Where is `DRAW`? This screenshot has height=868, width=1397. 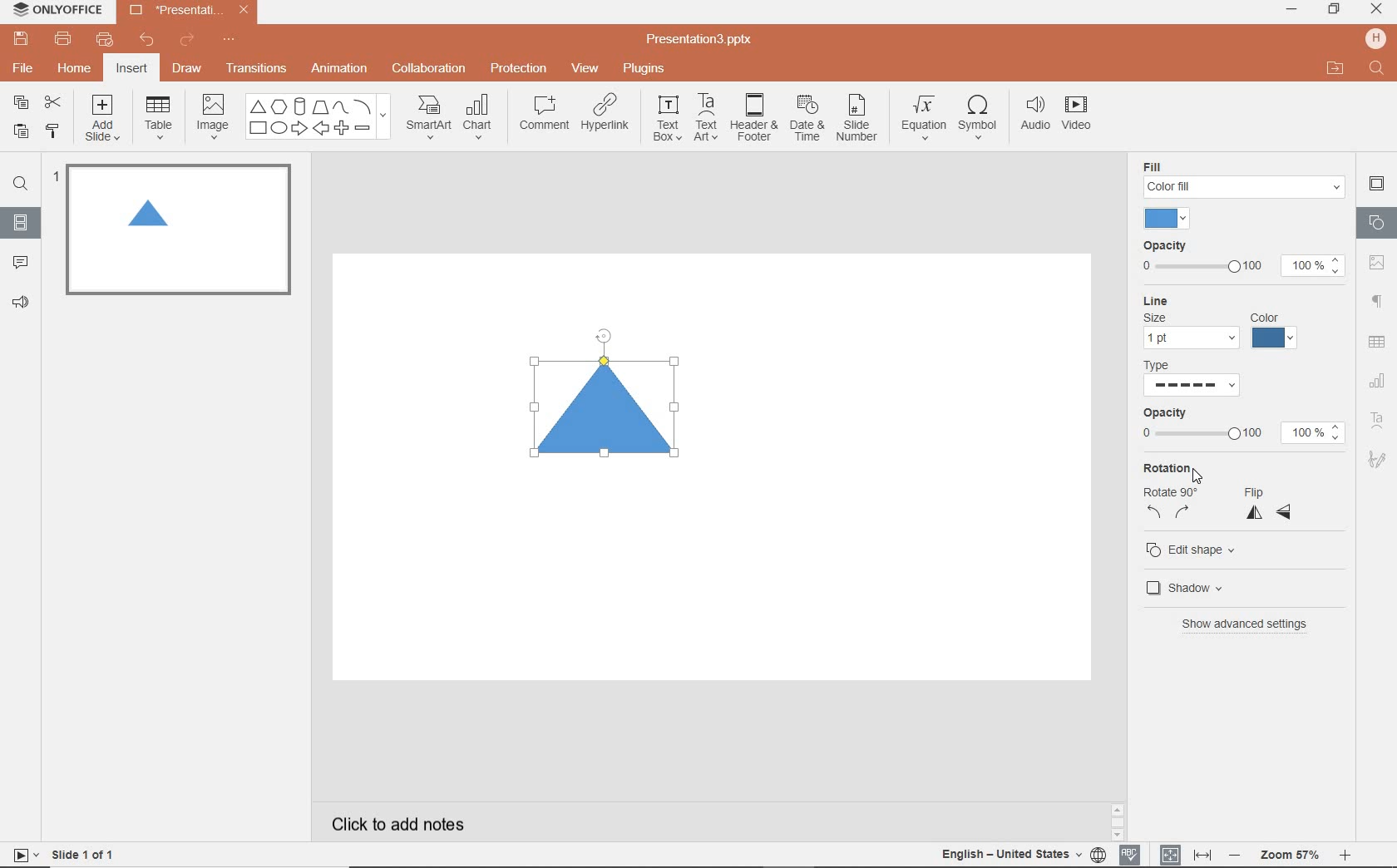
DRAW is located at coordinates (188, 70).